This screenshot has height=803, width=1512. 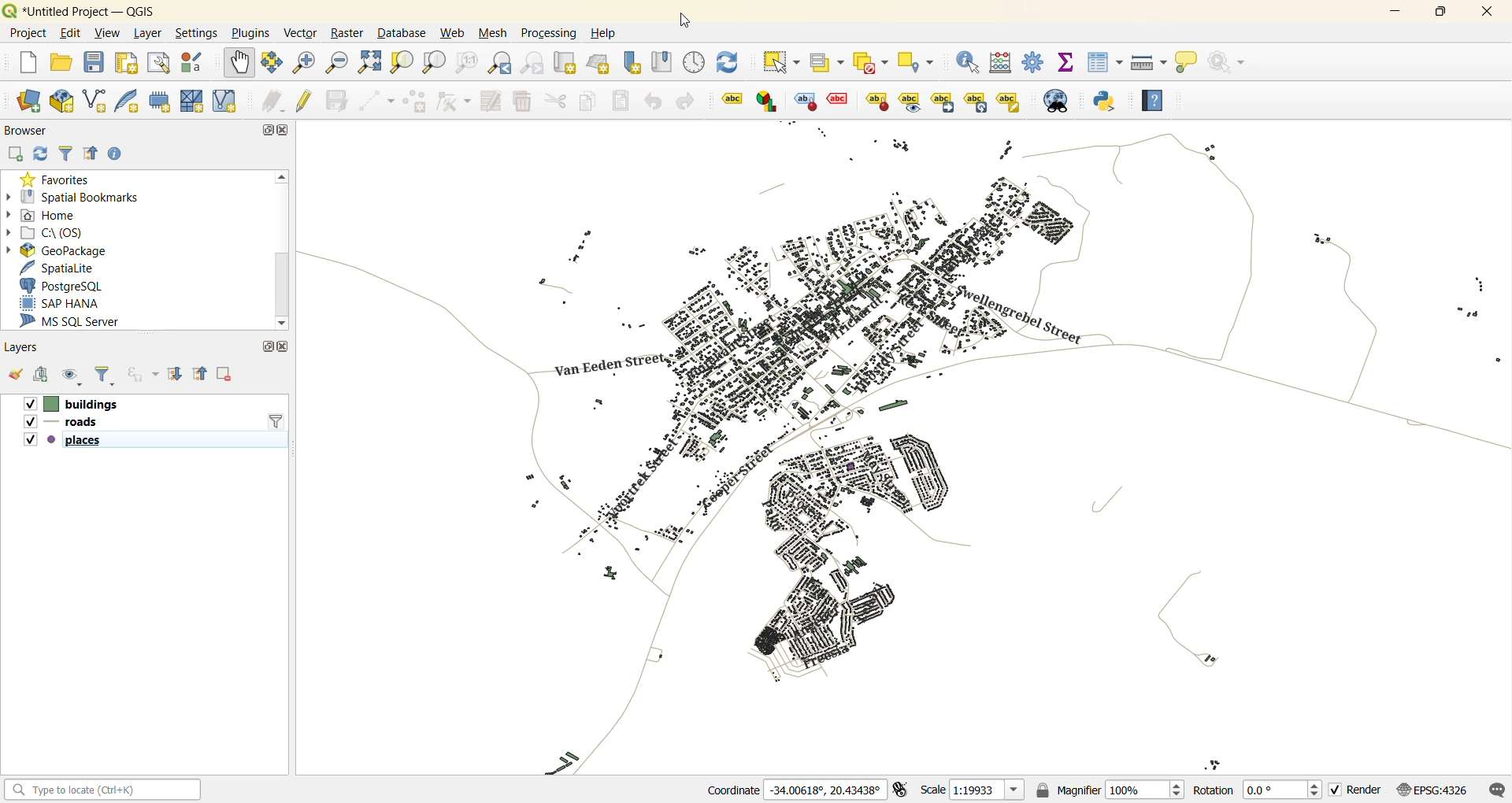 What do you see at coordinates (690, 102) in the screenshot?
I see `redo` at bounding box center [690, 102].